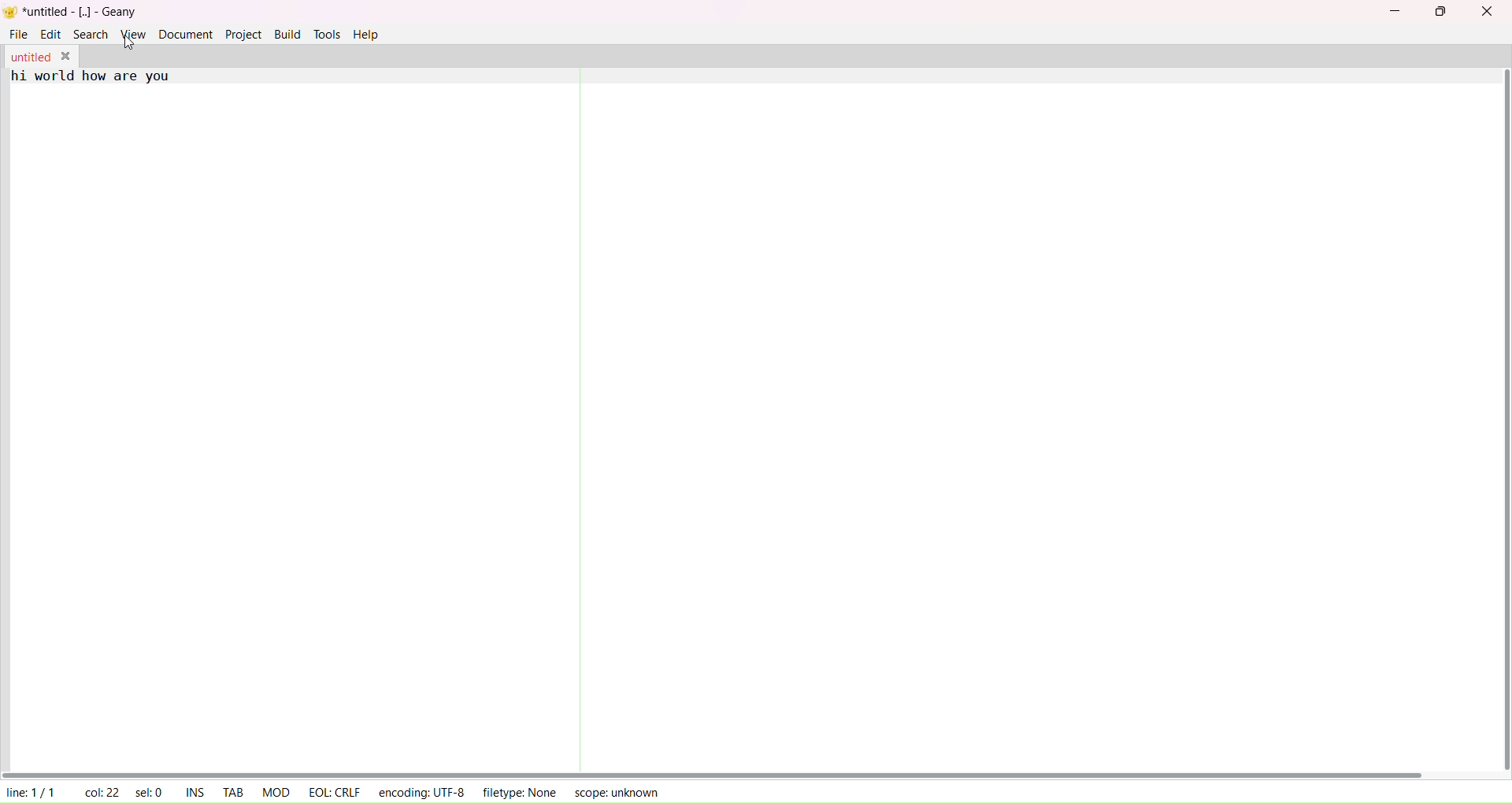 This screenshot has width=1512, height=803. What do you see at coordinates (231, 792) in the screenshot?
I see `tab` at bounding box center [231, 792].